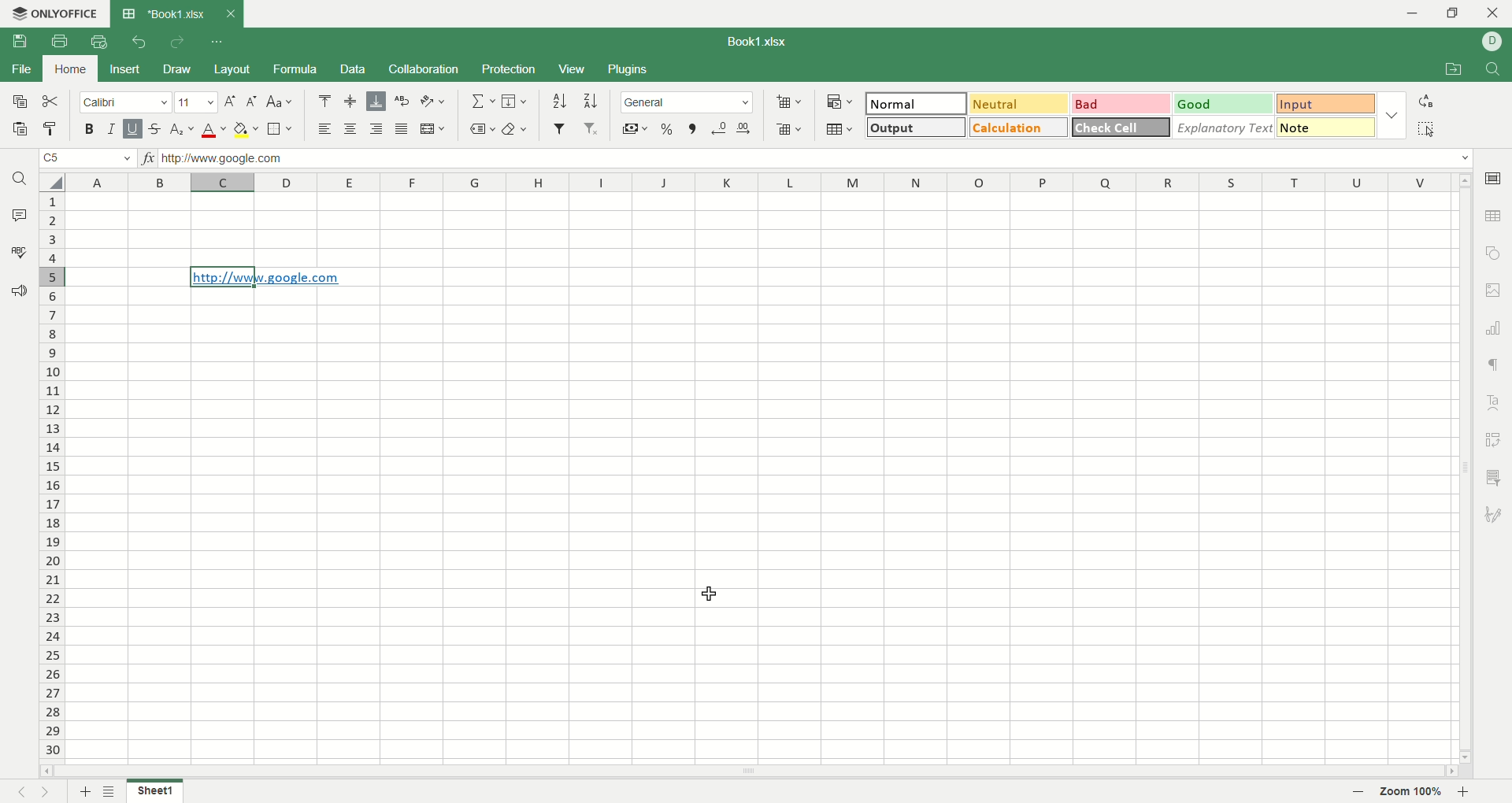  What do you see at coordinates (1494, 15) in the screenshot?
I see `close` at bounding box center [1494, 15].